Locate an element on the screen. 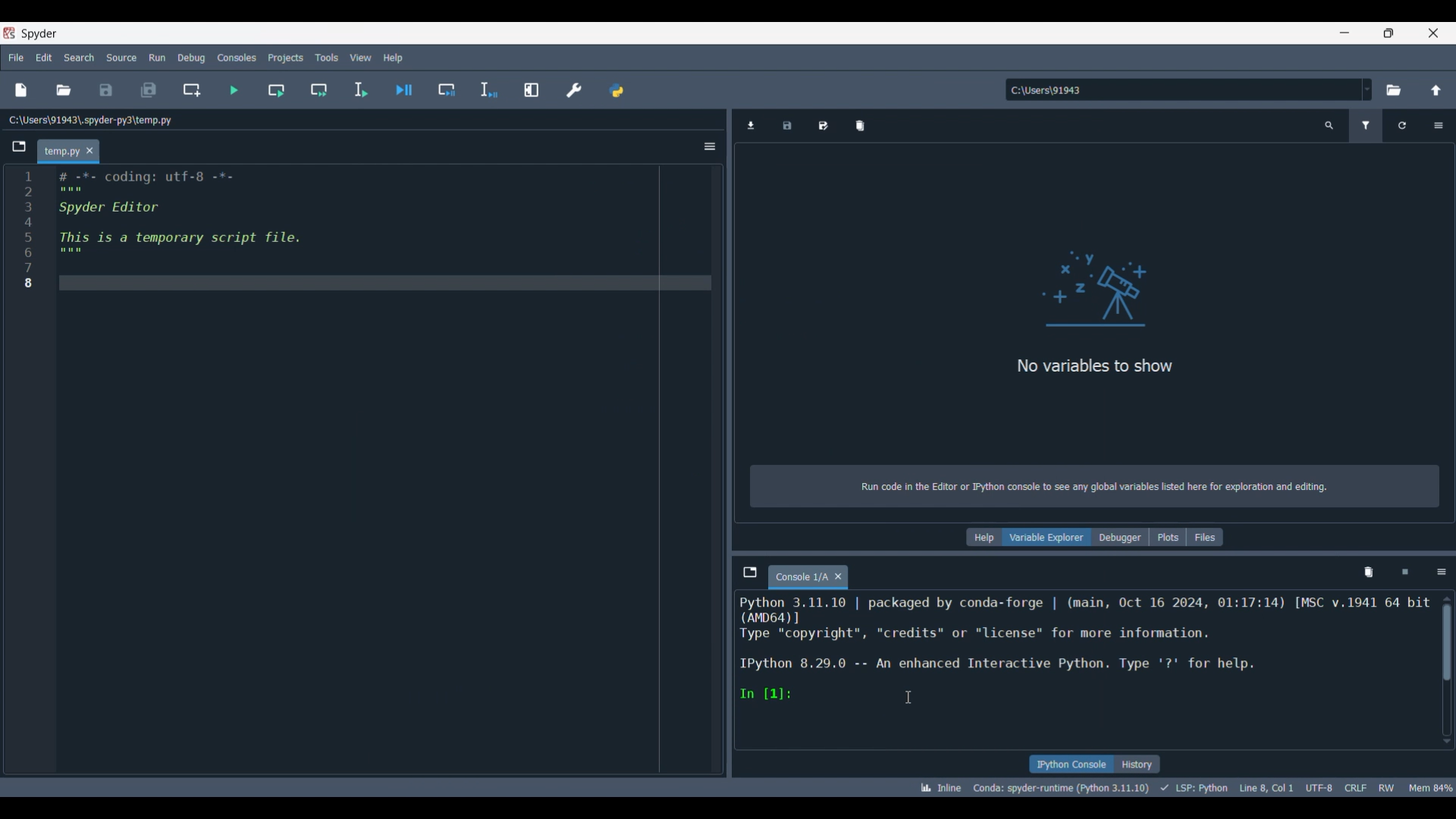 The height and width of the screenshot is (819, 1456). Current tab is located at coordinates (800, 577).